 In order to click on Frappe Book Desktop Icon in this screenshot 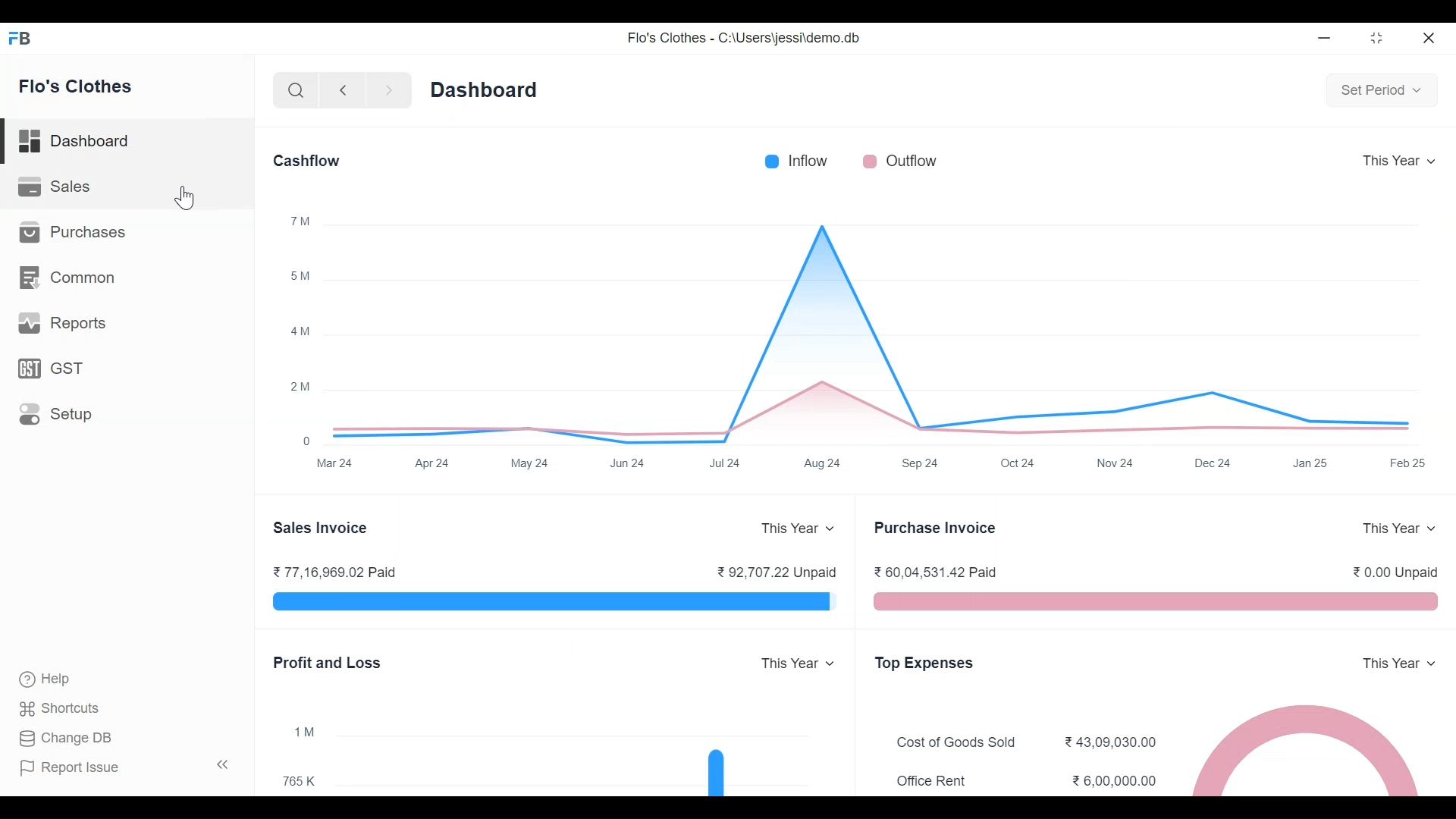, I will do `click(25, 39)`.